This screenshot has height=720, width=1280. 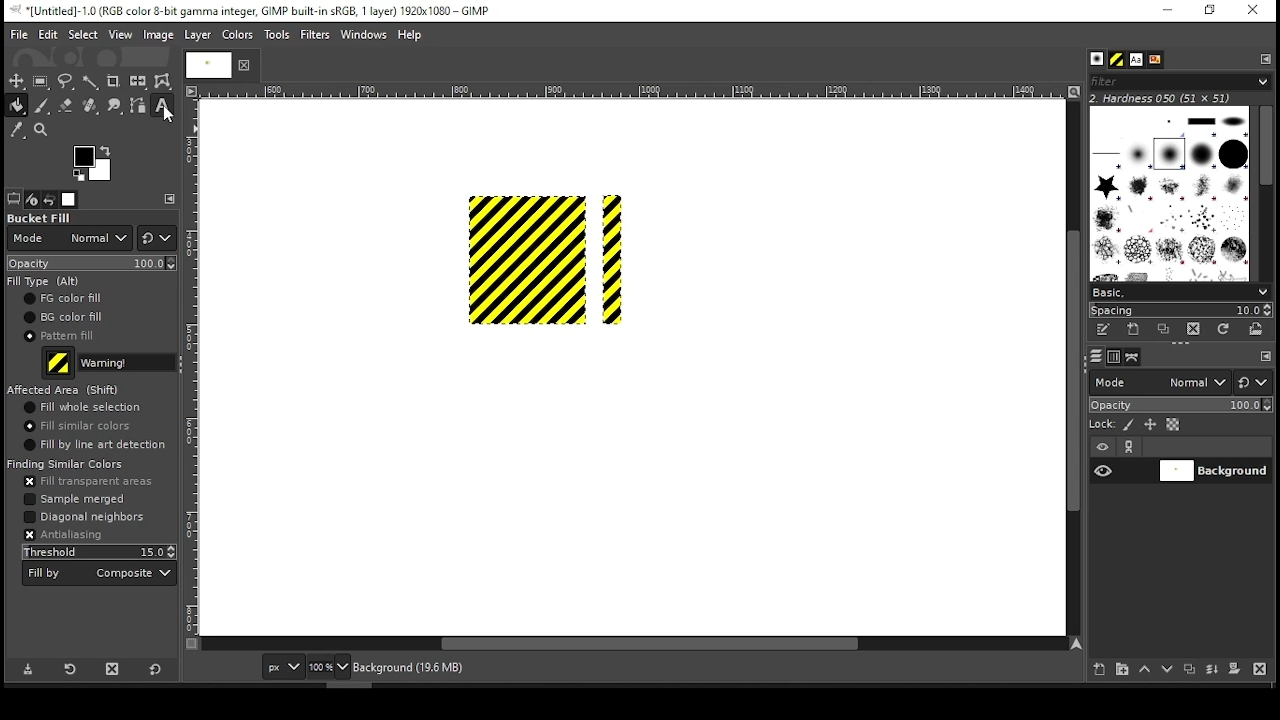 I want to click on view, so click(x=121, y=36).